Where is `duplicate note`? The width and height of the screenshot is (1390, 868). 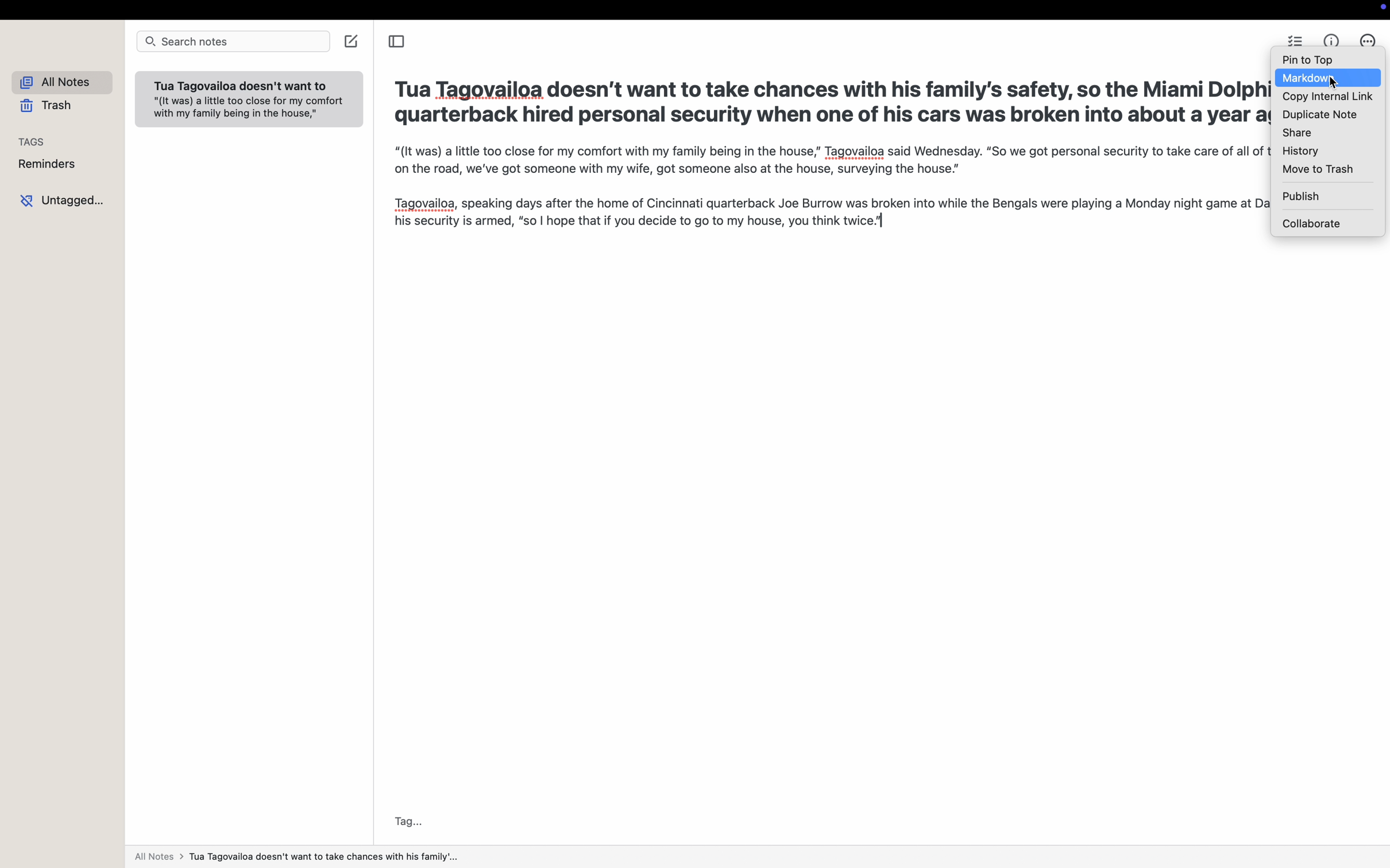 duplicate note is located at coordinates (1320, 115).